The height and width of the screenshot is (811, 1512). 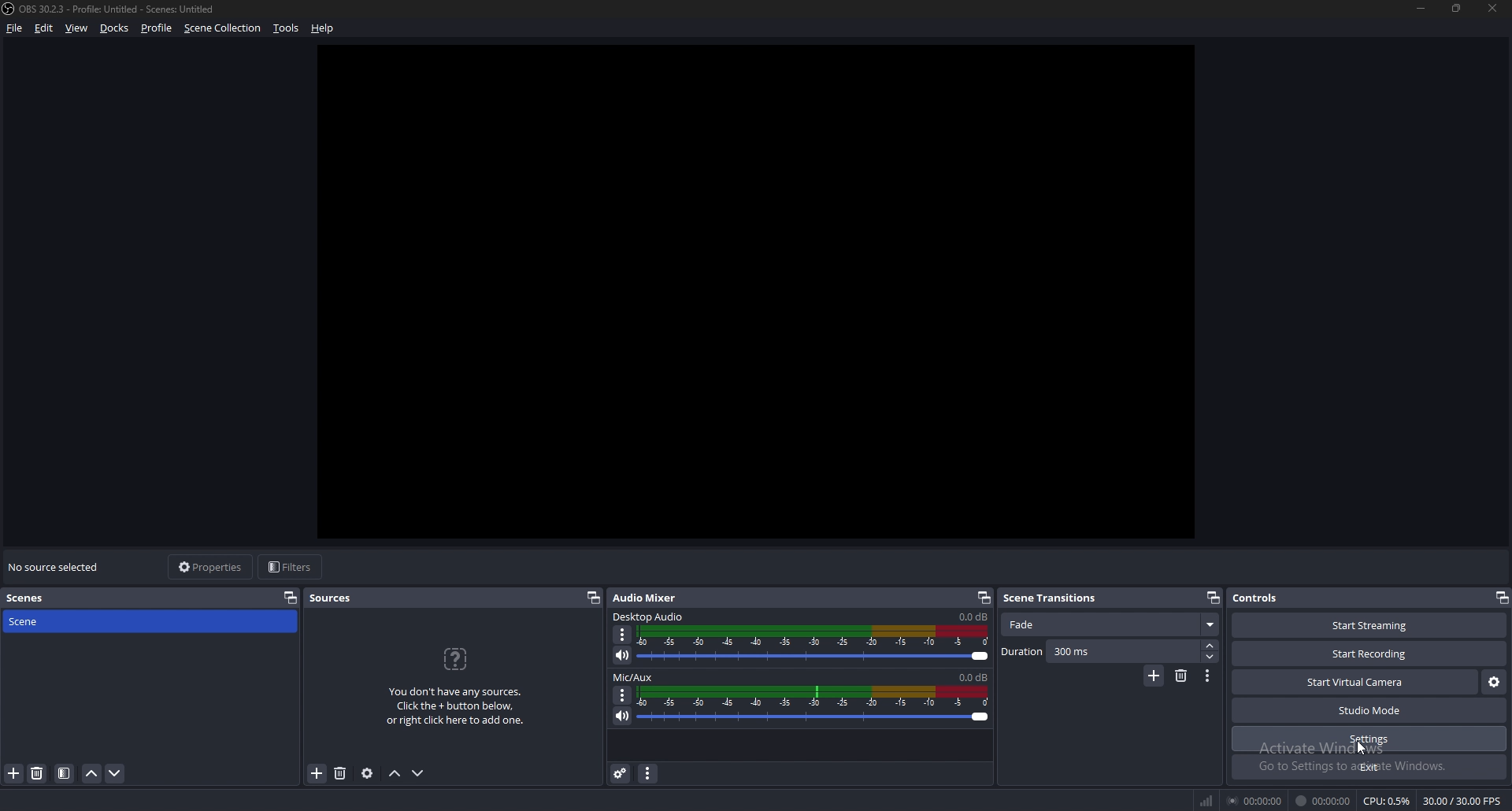 What do you see at coordinates (323, 28) in the screenshot?
I see `help` at bounding box center [323, 28].